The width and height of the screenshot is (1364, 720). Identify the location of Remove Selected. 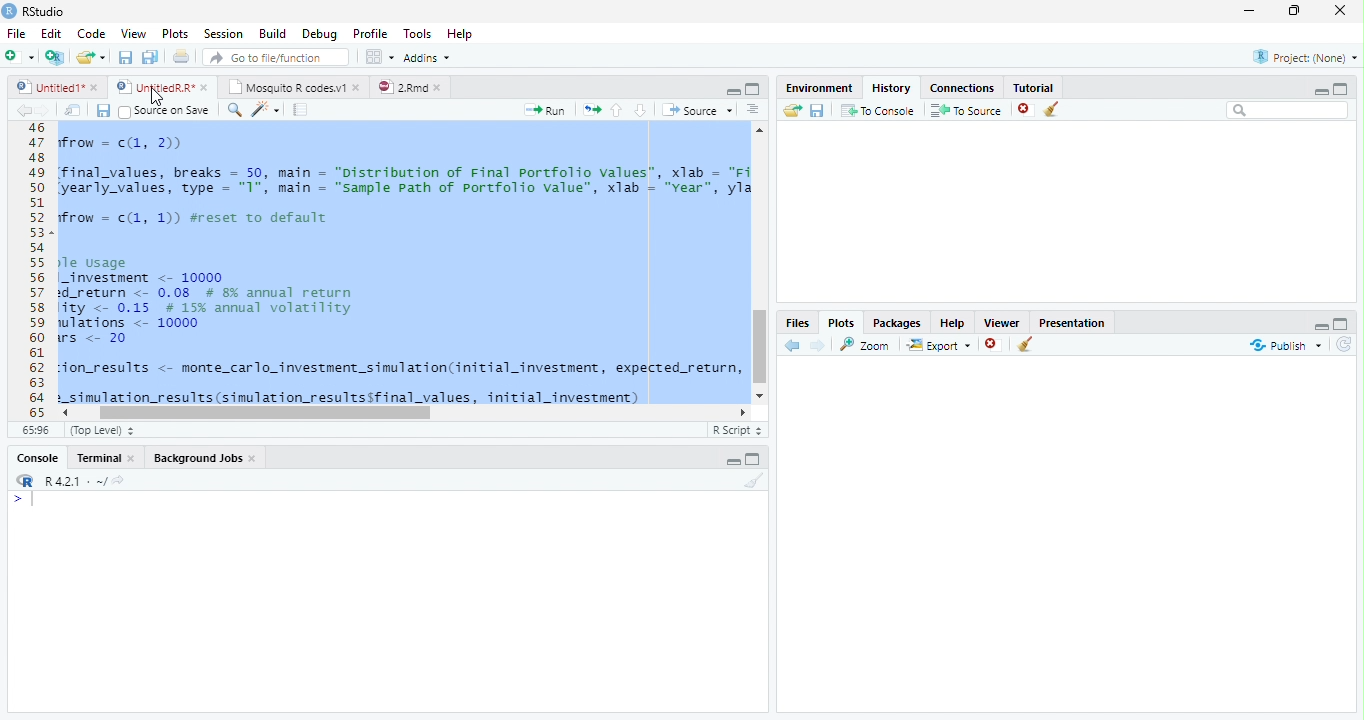
(1027, 109).